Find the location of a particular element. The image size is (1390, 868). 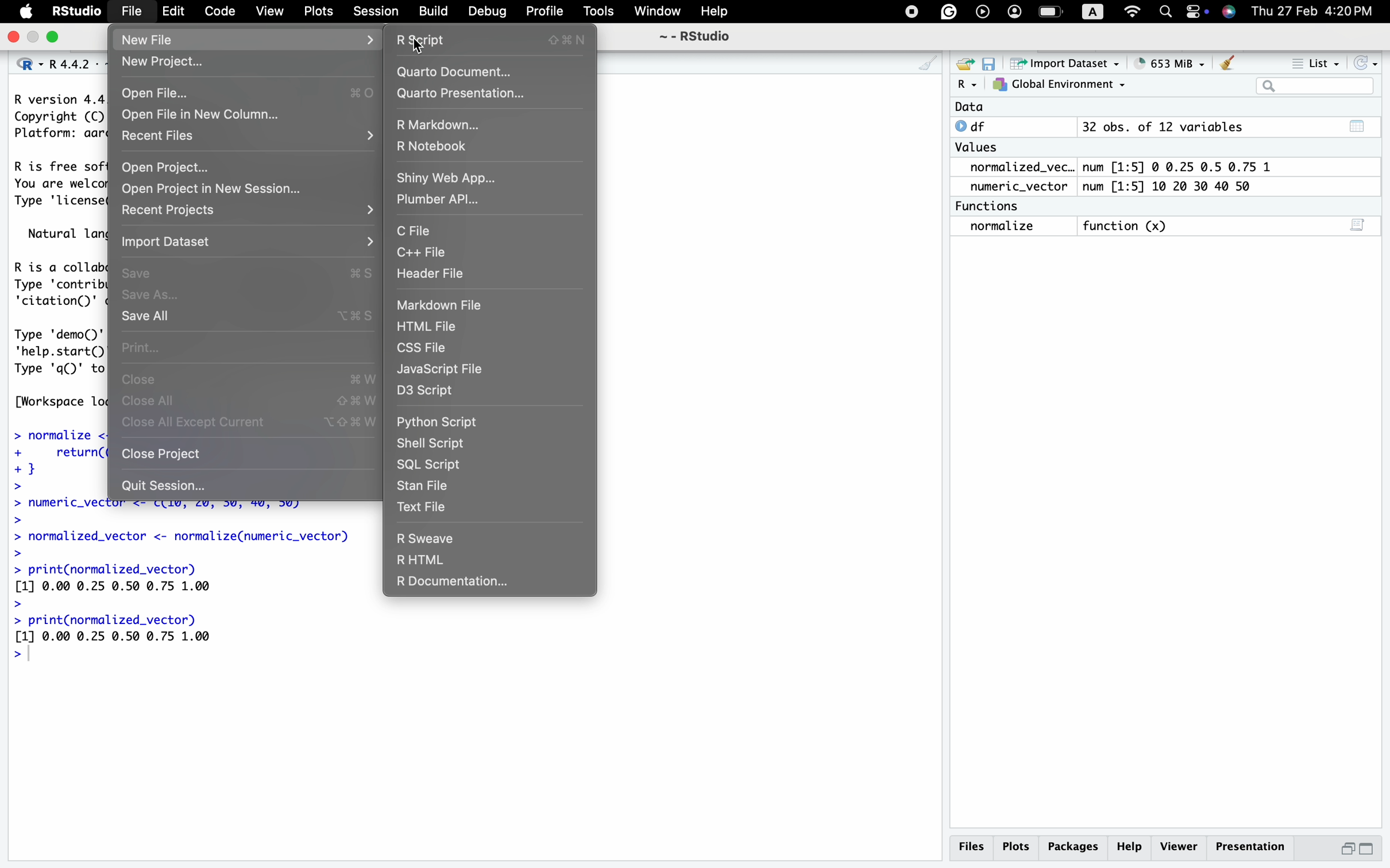

normalized_vec is located at coordinates (1013, 168).